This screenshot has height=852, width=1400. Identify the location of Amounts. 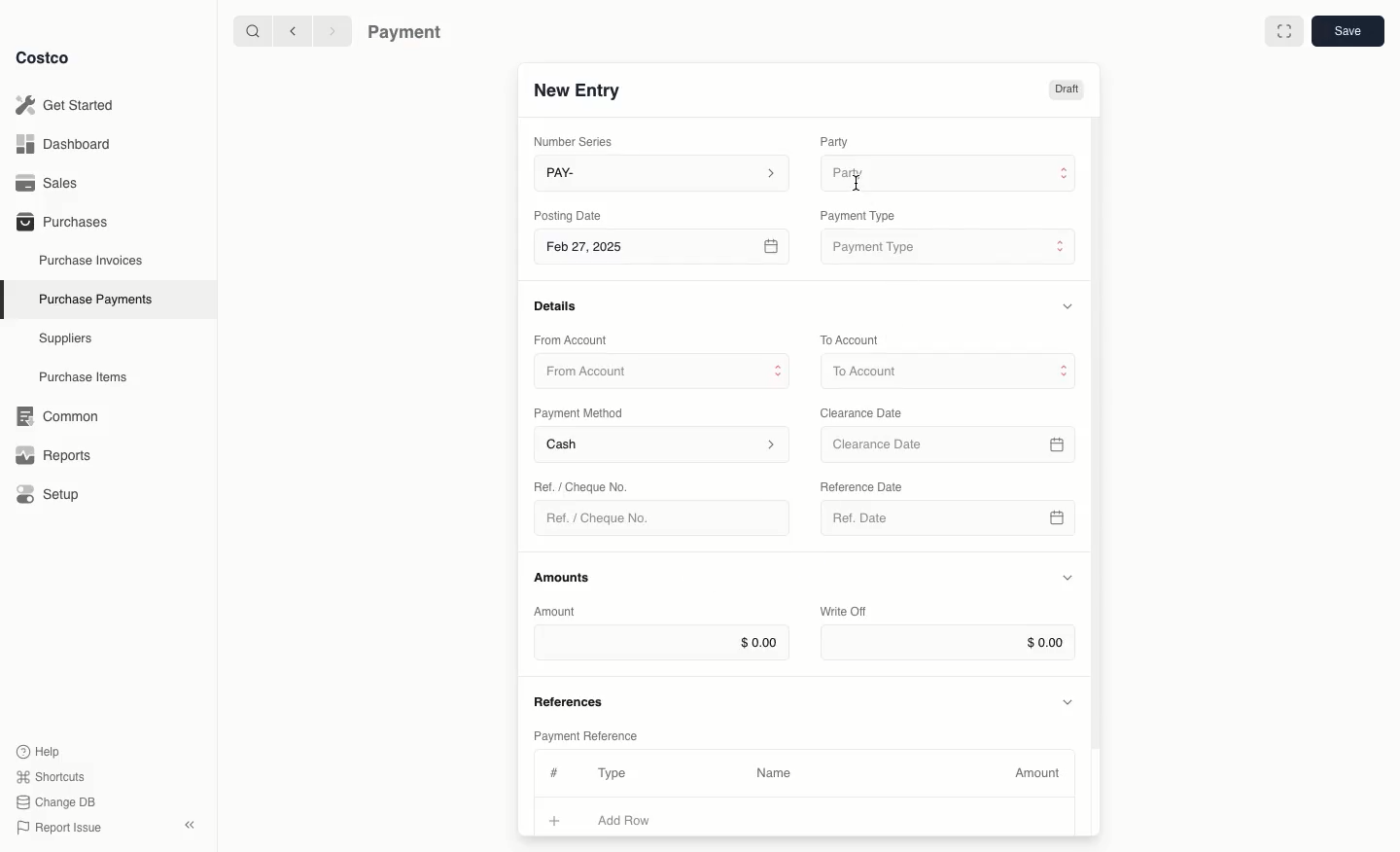
(564, 577).